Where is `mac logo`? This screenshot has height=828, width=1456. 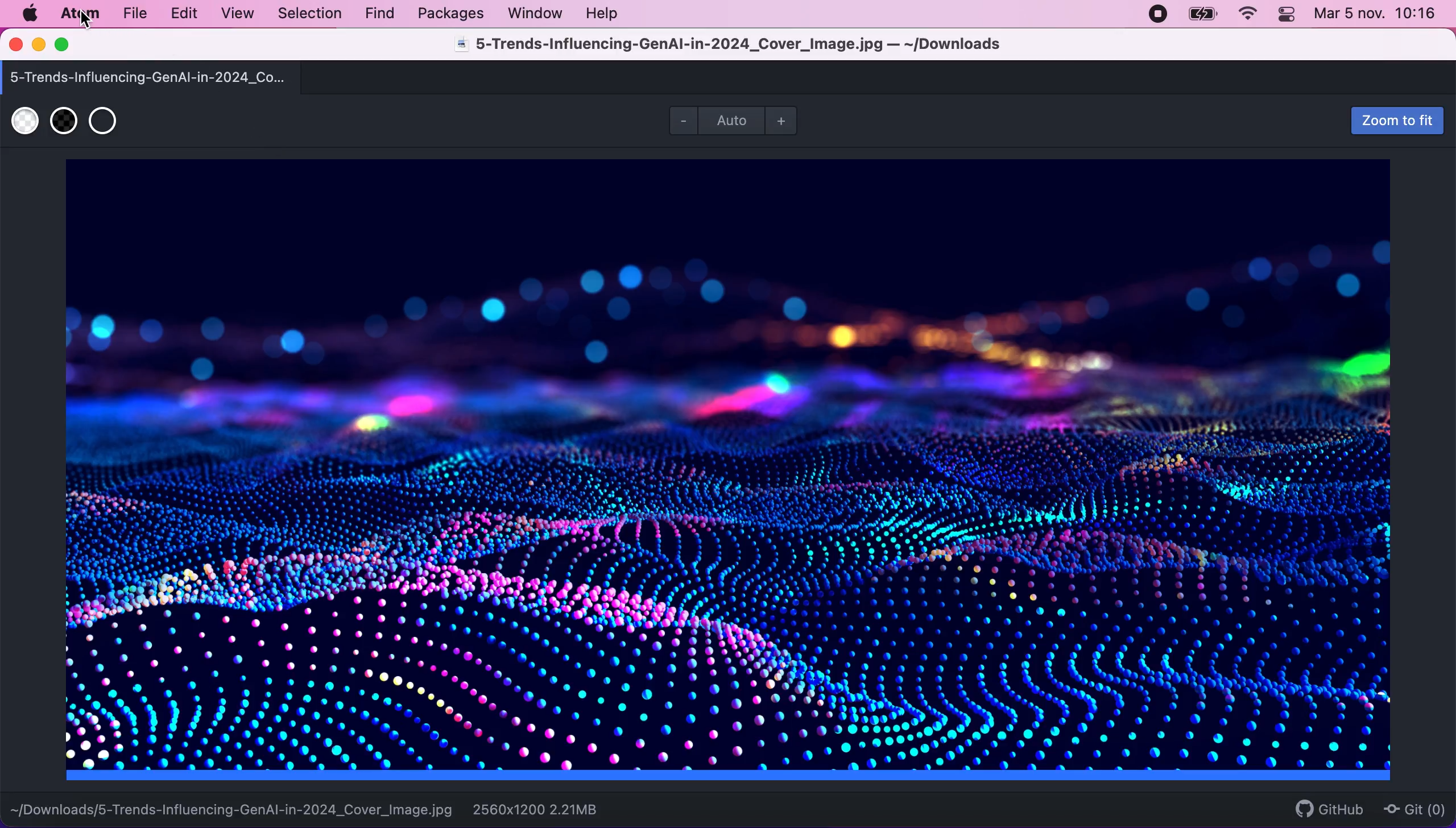 mac logo is located at coordinates (29, 14).